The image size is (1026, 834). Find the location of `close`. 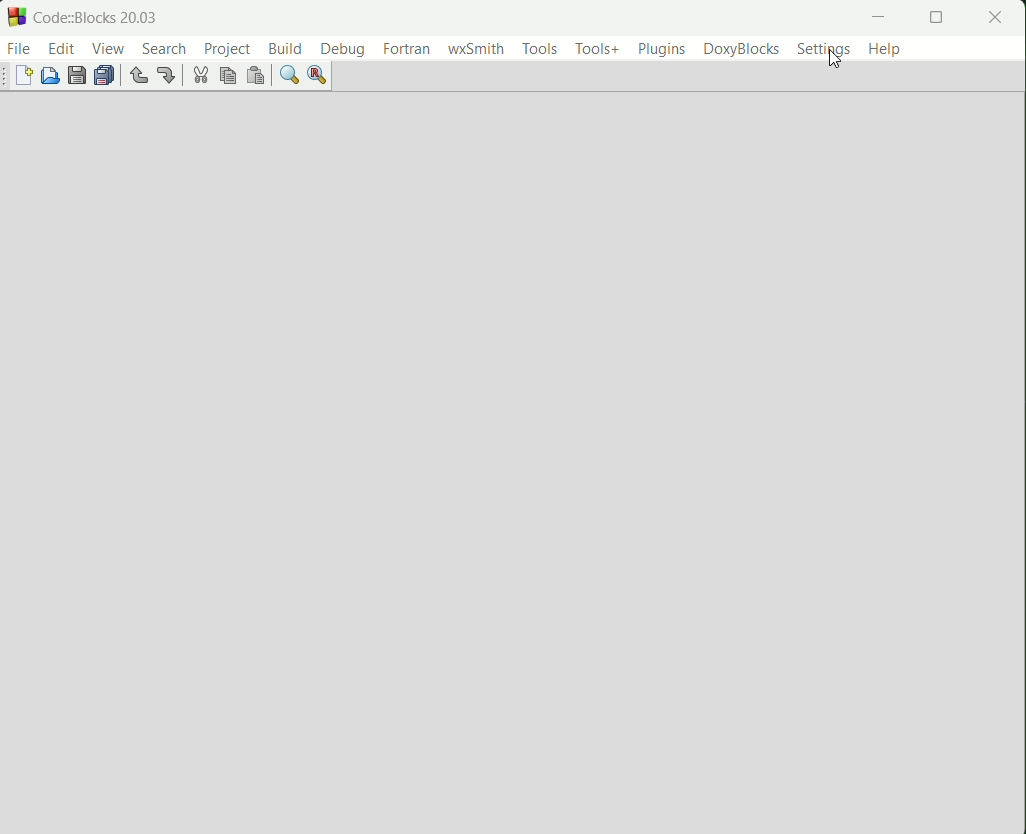

close is located at coordinates (996, 17).